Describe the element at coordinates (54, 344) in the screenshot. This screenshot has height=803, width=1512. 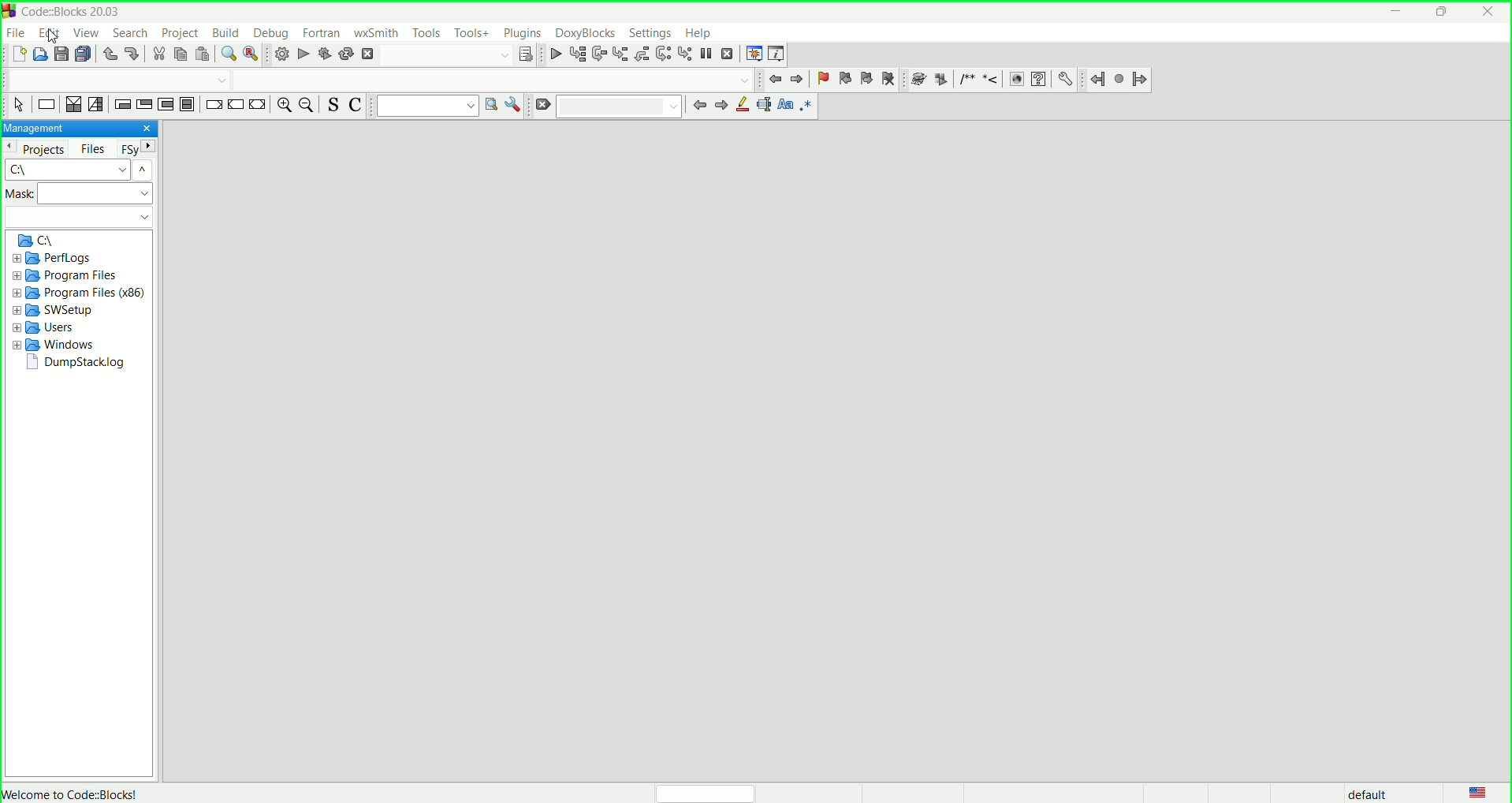
I see `windows` at that location.